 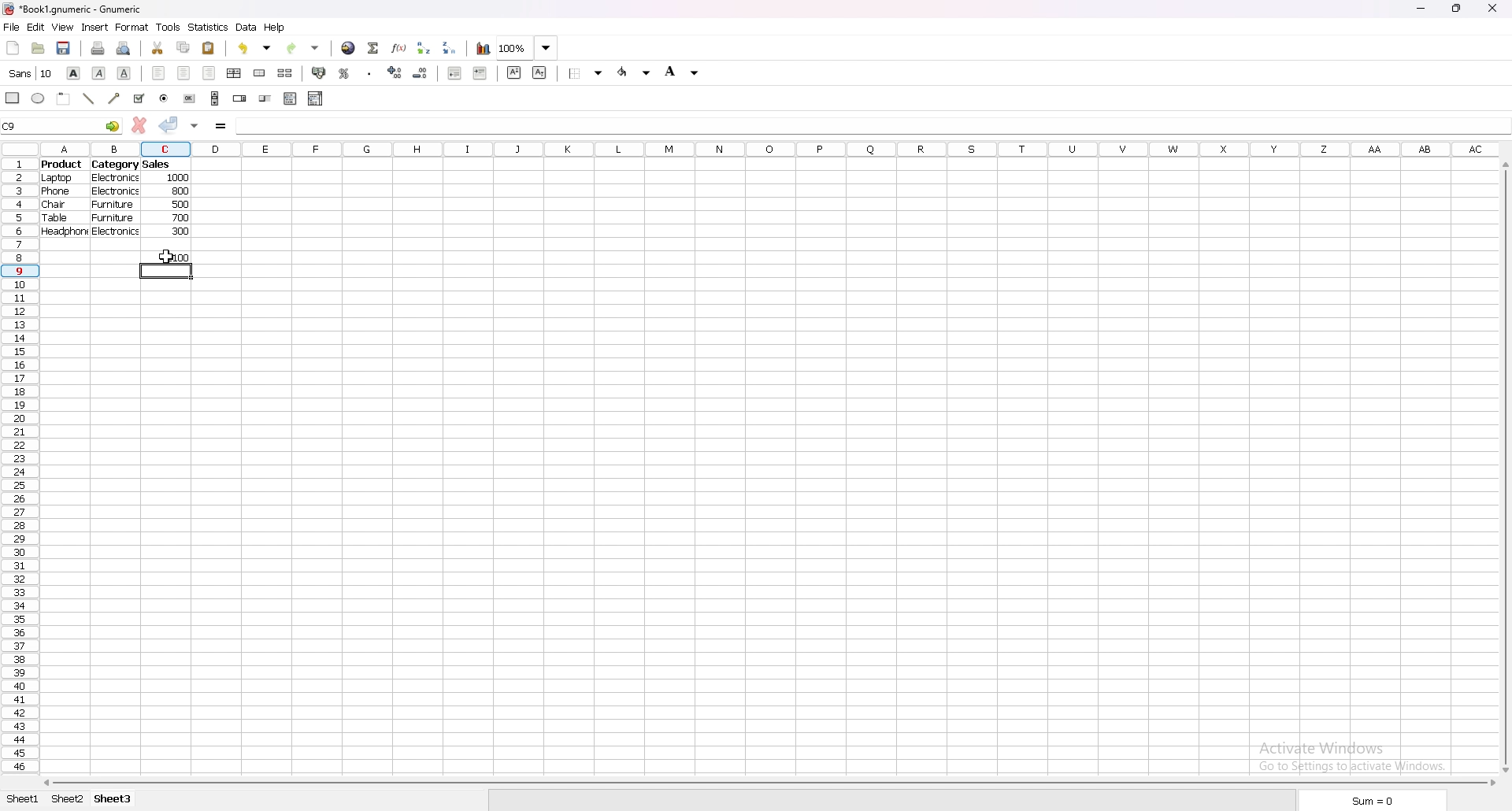 I want to click on rows, so click(x=17, y=466).